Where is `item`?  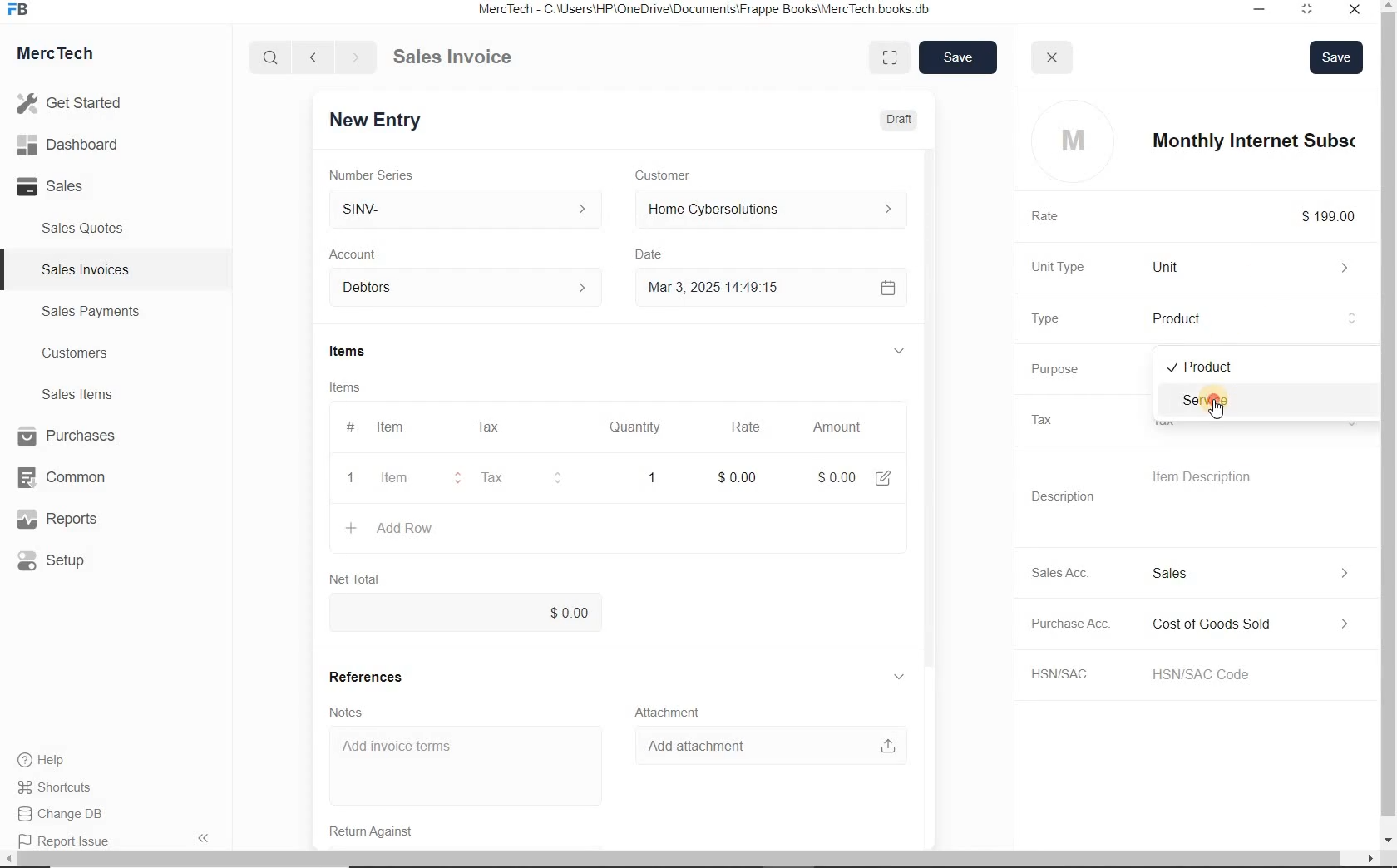
item is located at coordinates (407, 480).